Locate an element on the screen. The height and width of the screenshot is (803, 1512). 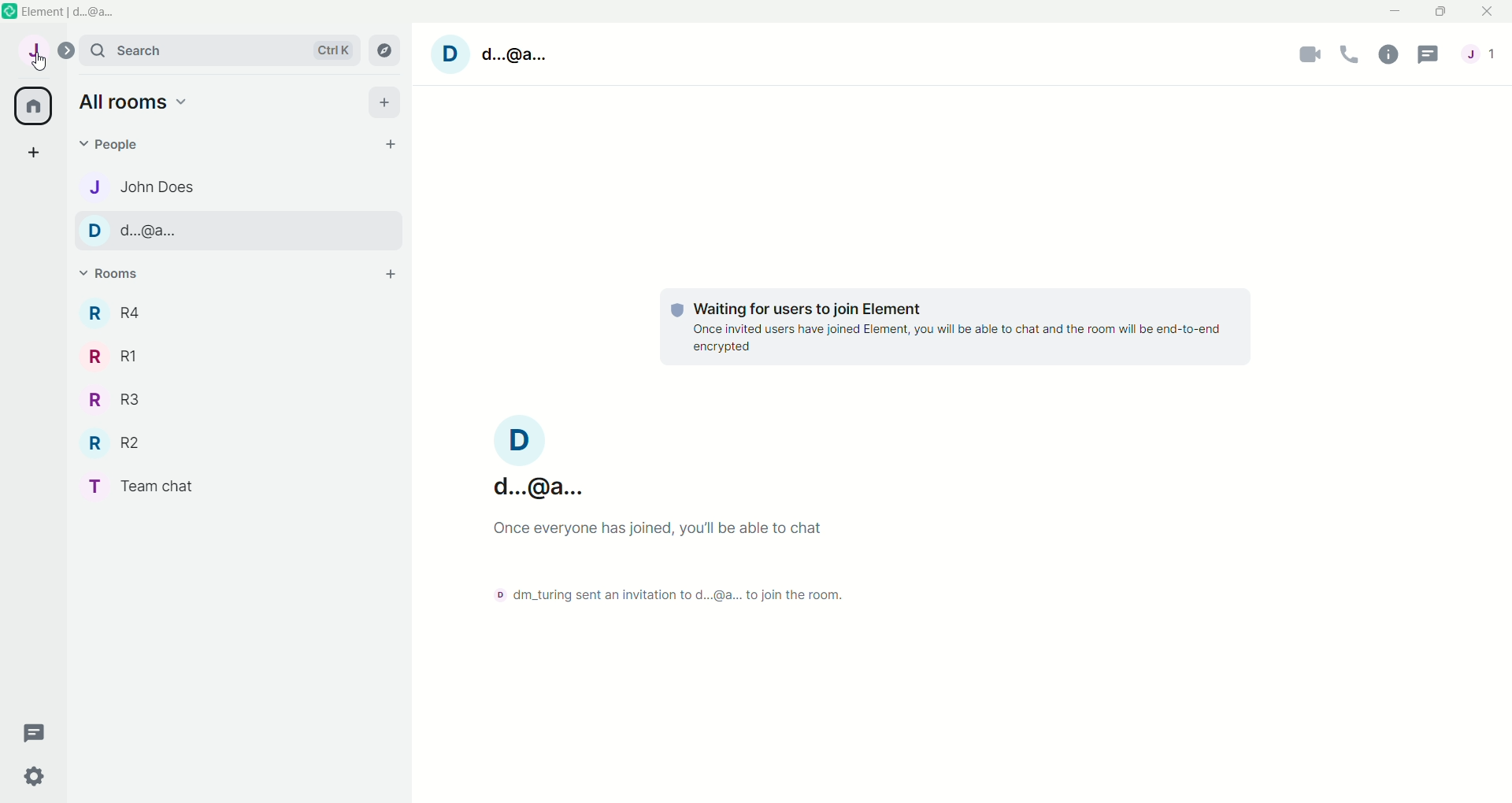
Add room is located at coordinates (391, 274).